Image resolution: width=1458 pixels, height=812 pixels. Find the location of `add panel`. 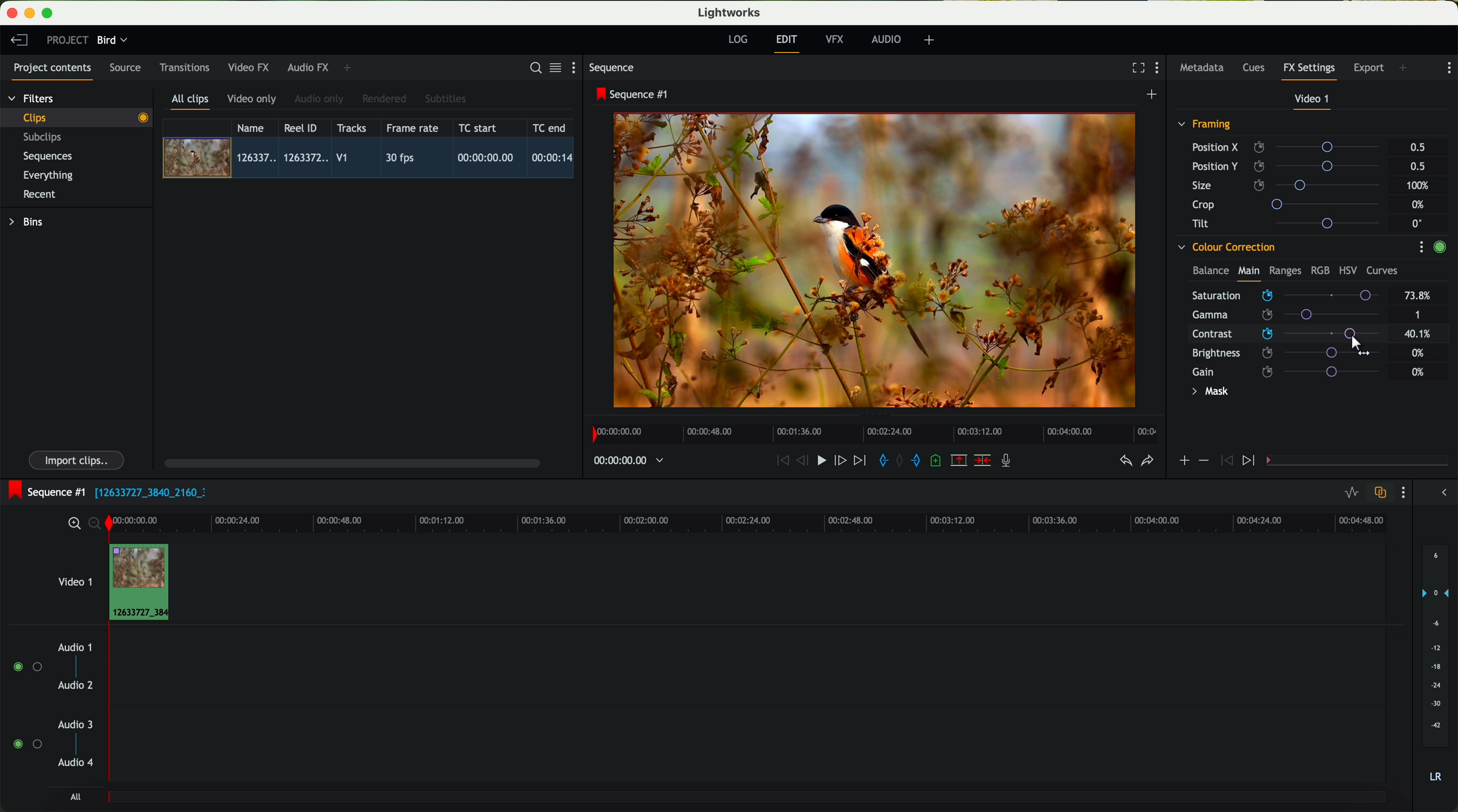

add panel is located at coordinates (1406, 69).